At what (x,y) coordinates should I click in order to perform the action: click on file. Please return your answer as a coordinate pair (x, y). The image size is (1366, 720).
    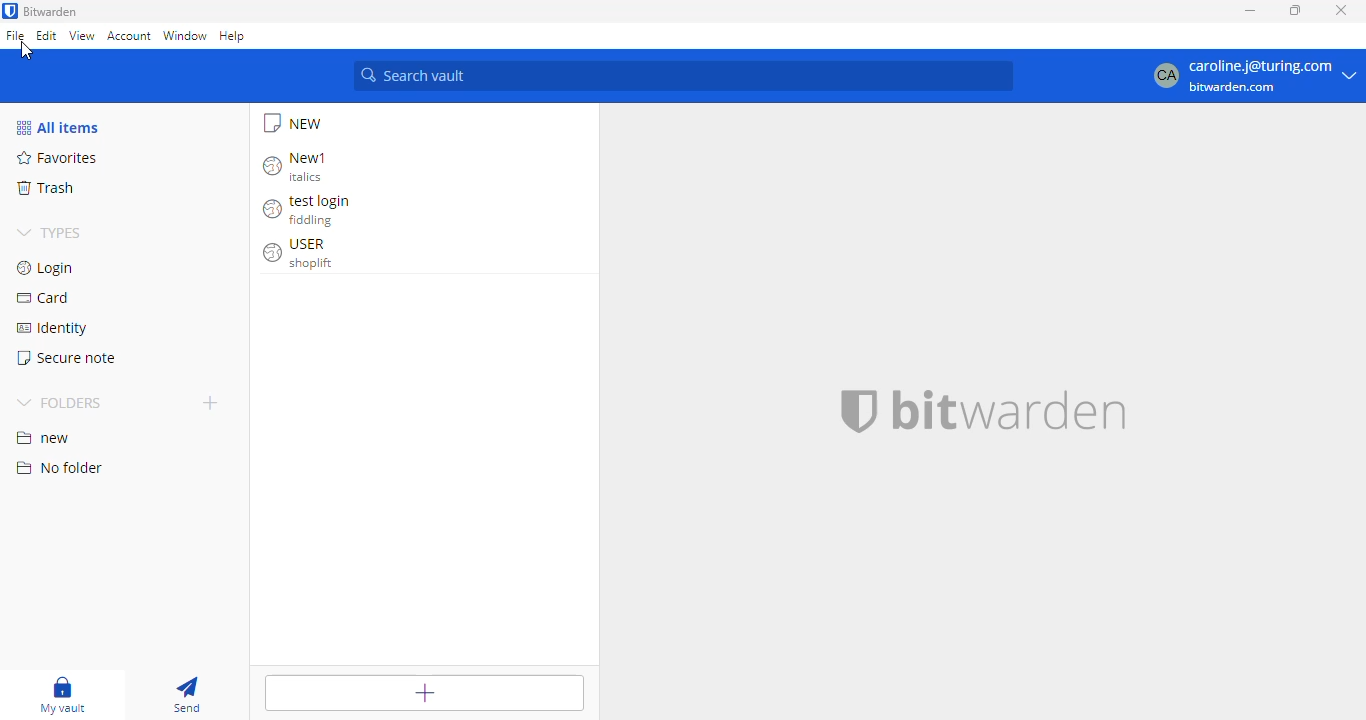
    Looking at the image, I should click on (15, 35).